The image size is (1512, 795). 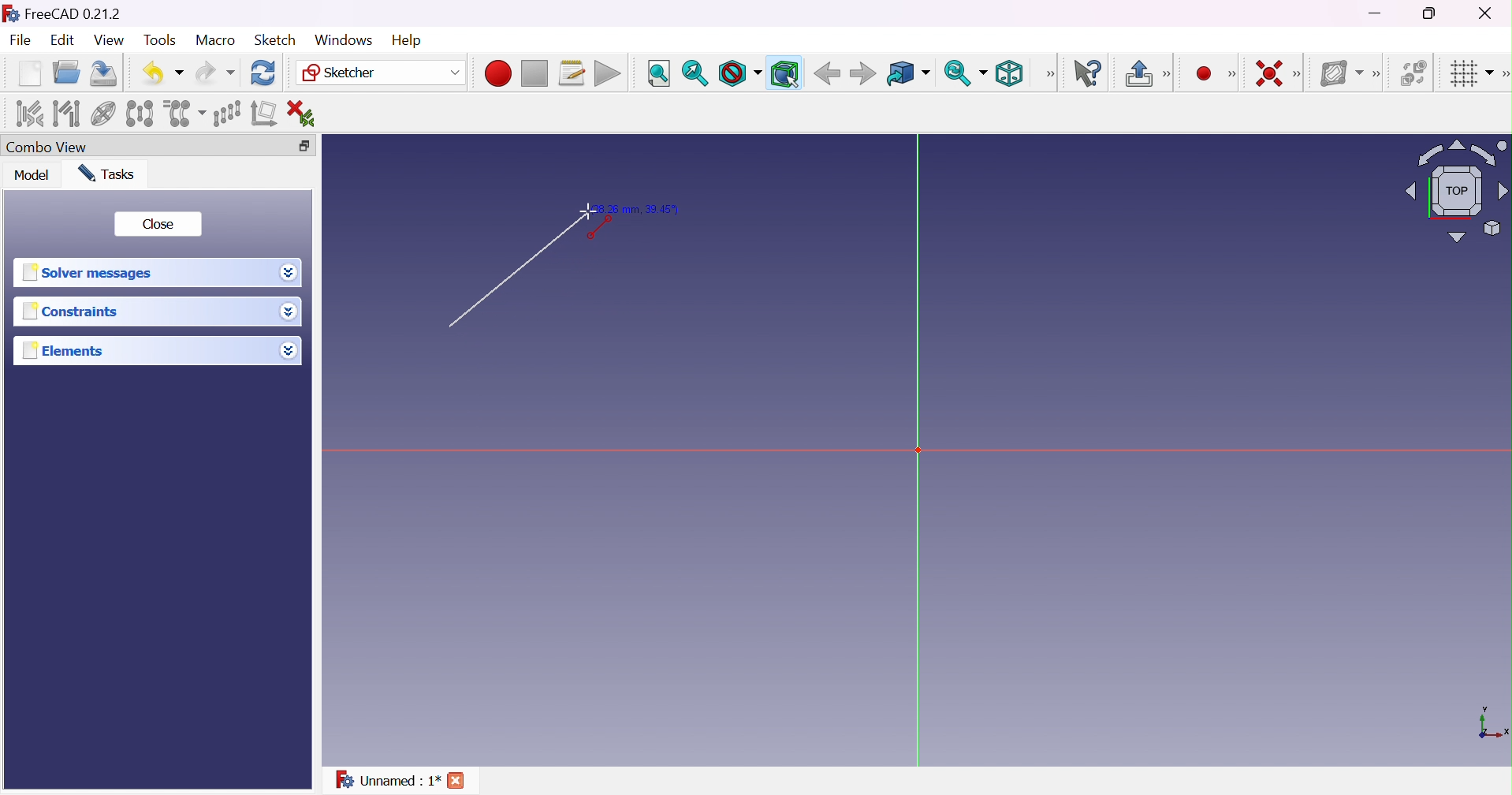 What do you see at coordinates (28, 114) in the screenshot?
I see `Select associated constraints` at bounding box center [28, 114].